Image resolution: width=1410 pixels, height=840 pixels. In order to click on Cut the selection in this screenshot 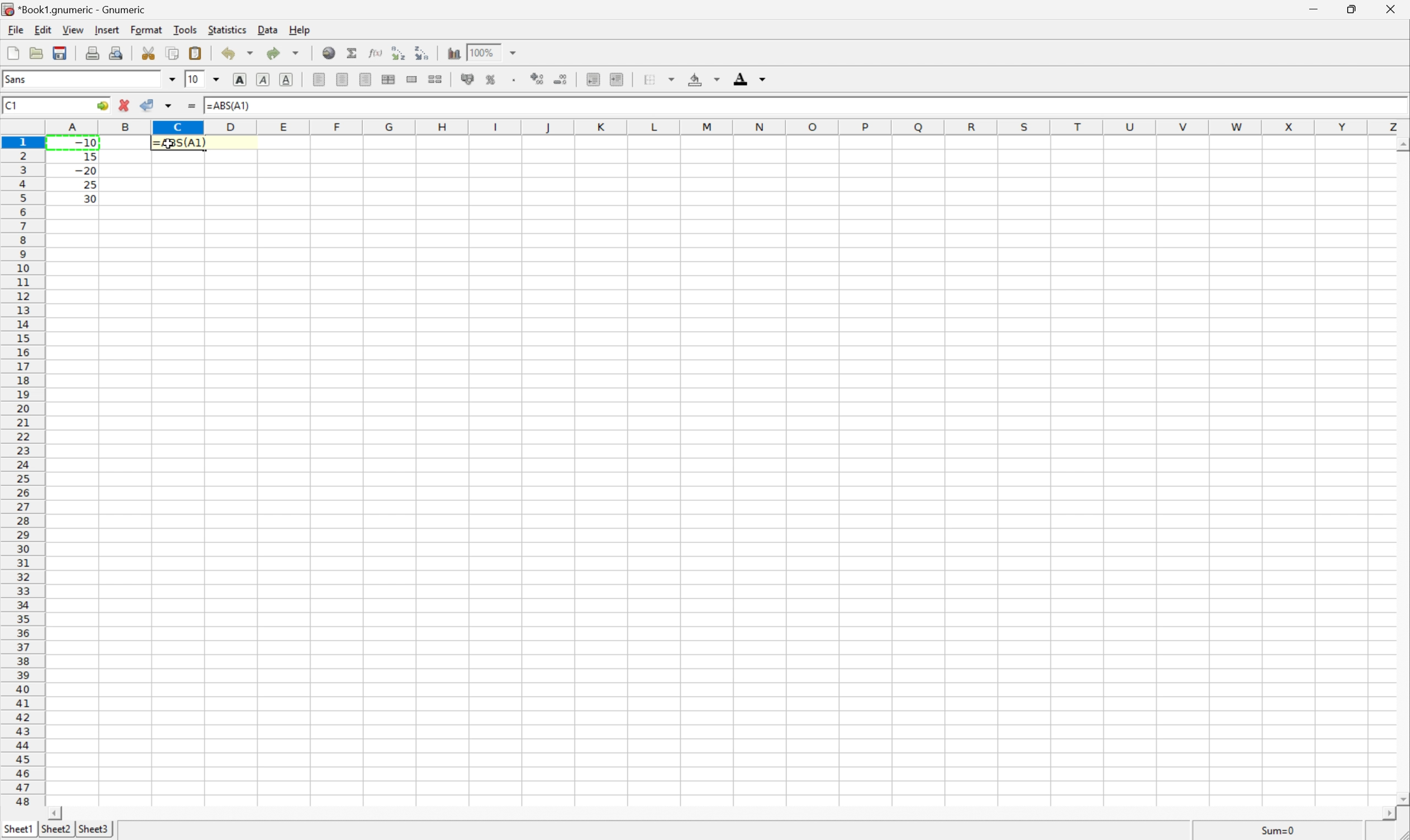, I will do `click(151, 53)`.